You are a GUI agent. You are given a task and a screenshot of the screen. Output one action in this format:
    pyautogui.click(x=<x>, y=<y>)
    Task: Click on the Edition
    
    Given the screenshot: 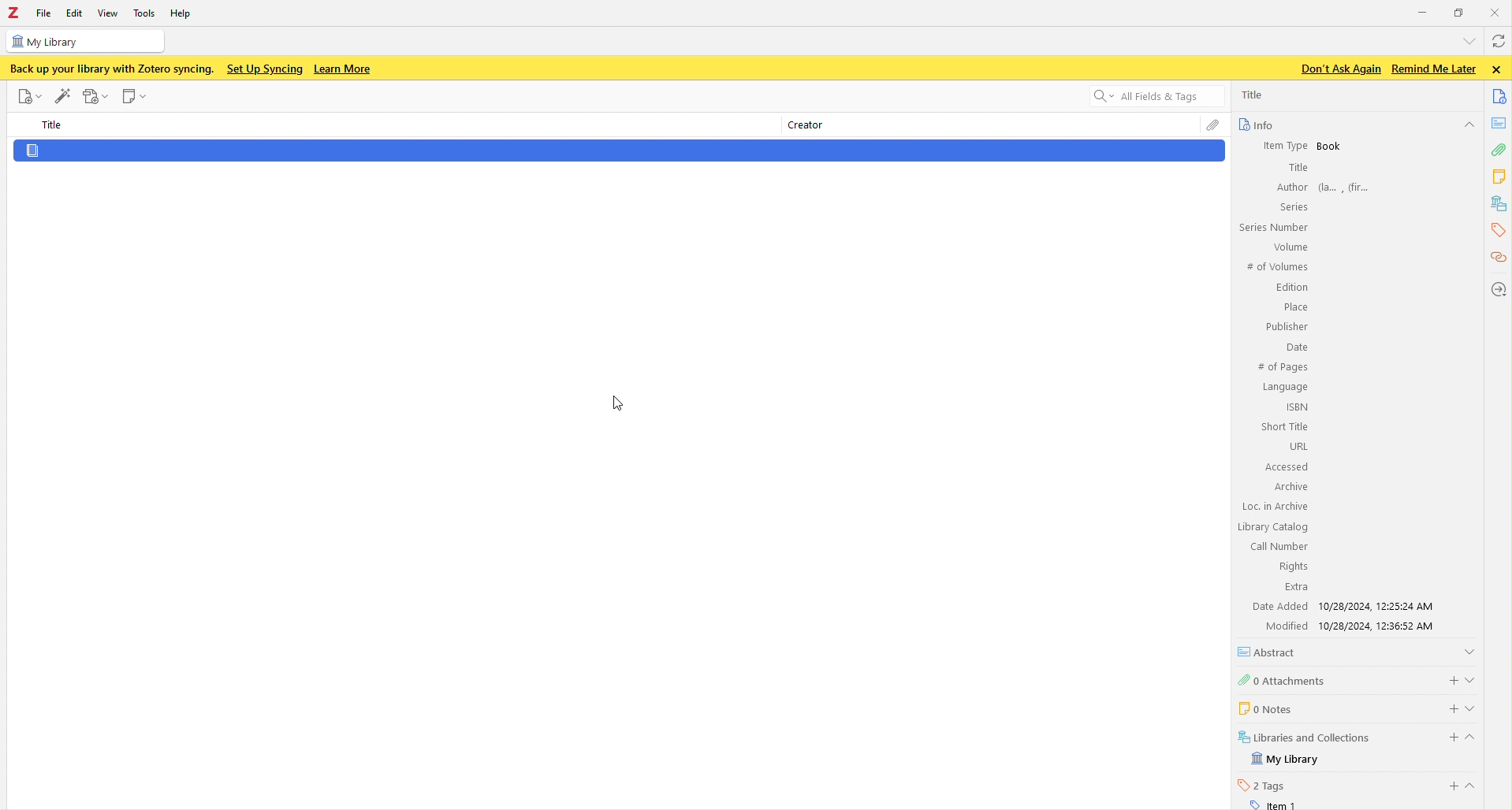 What is the action you would take?
    pyautogui.click(x=1292, y=288)
    